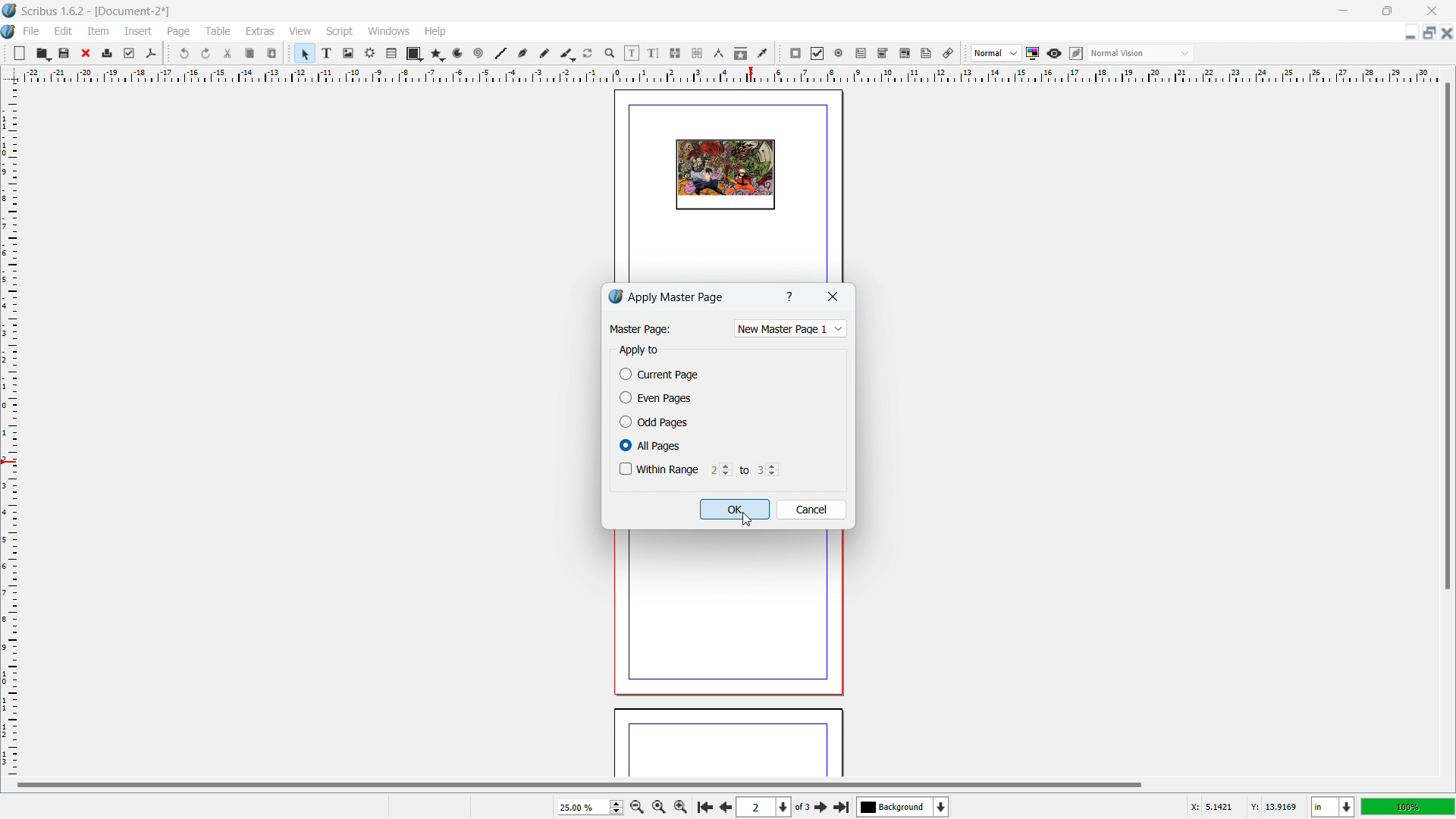  Describe the element at coordinates (653, 53) in the screenshot. I see `edit text with story editor` at that location.